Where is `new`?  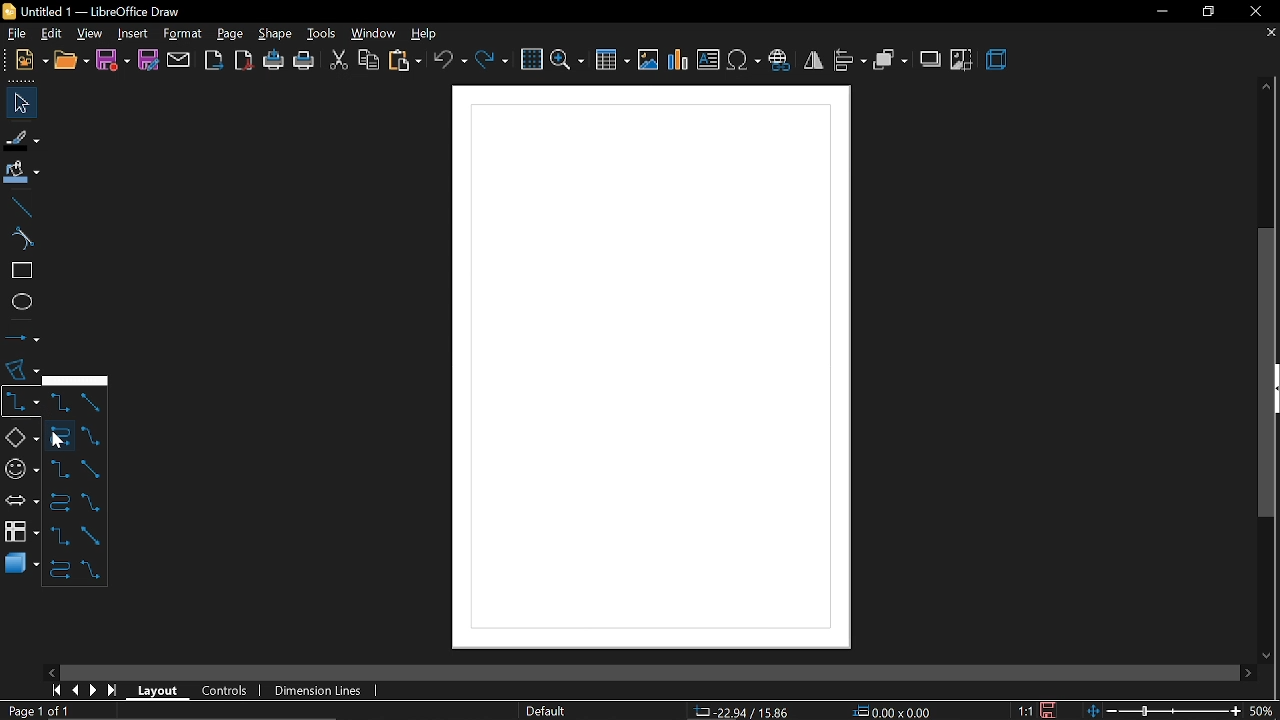
new is located at coordinates (24, 62).